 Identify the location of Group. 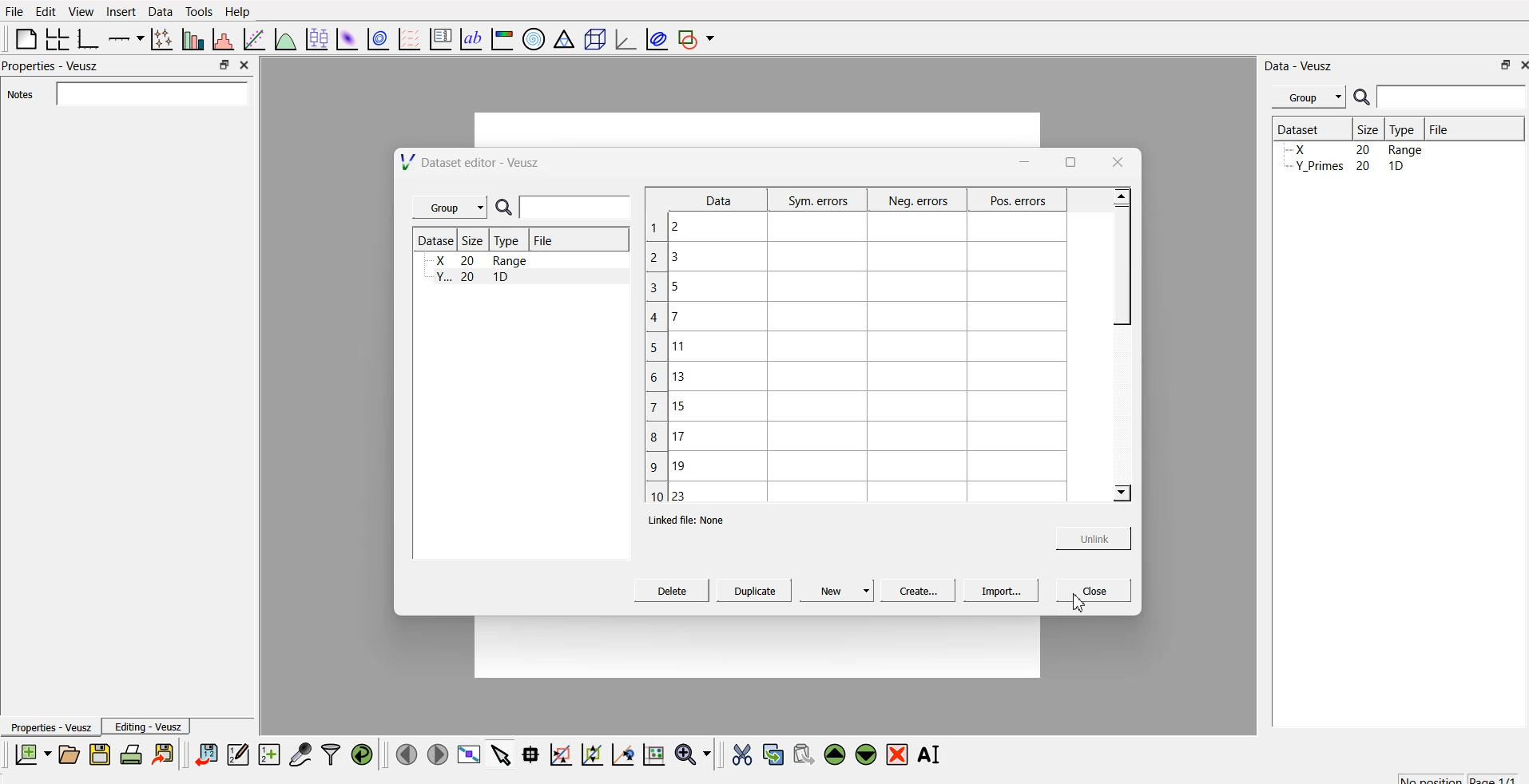
(1311, 95).